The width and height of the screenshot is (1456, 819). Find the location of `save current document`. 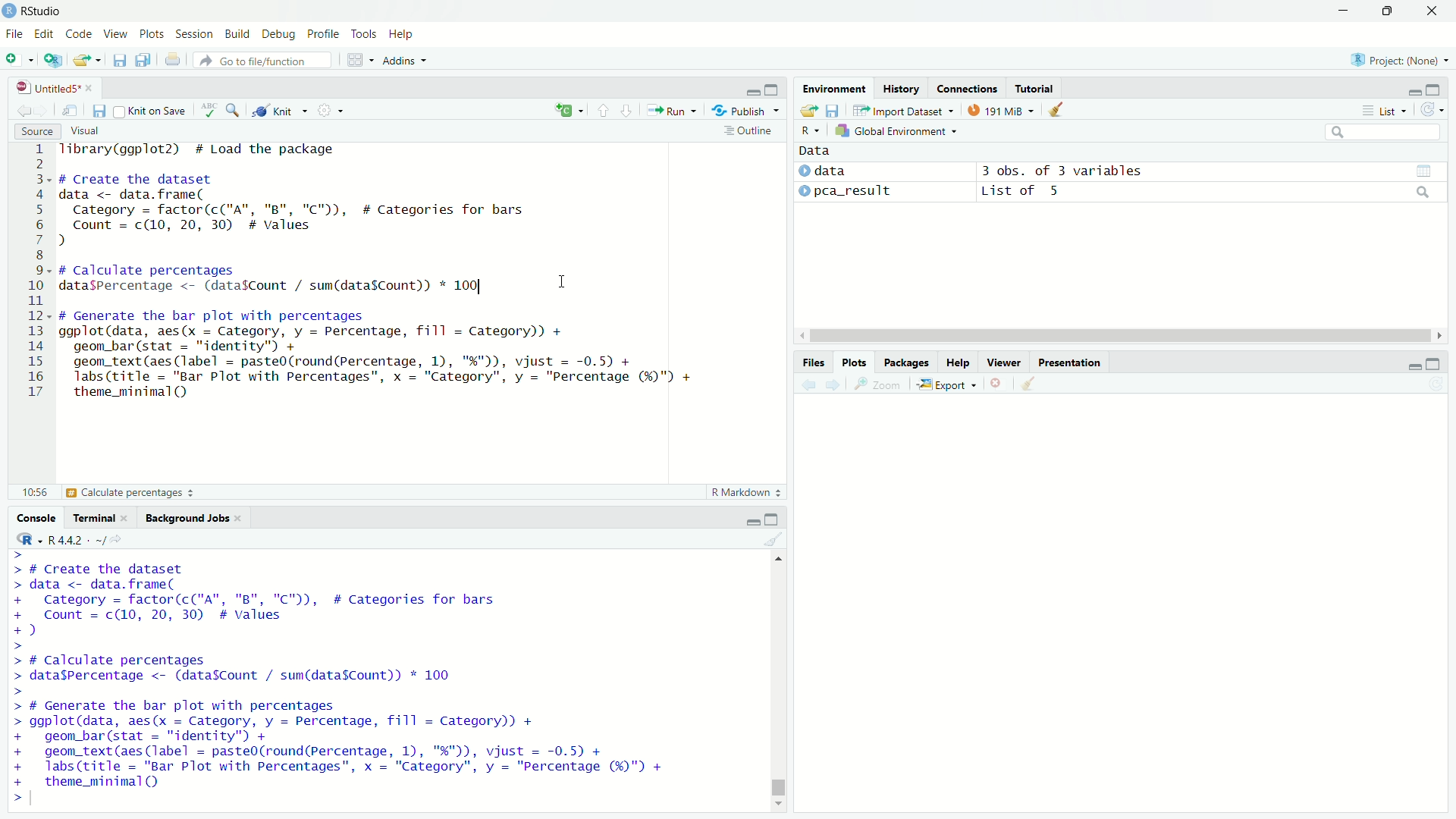

save current document is located at coordinates (100, 111).